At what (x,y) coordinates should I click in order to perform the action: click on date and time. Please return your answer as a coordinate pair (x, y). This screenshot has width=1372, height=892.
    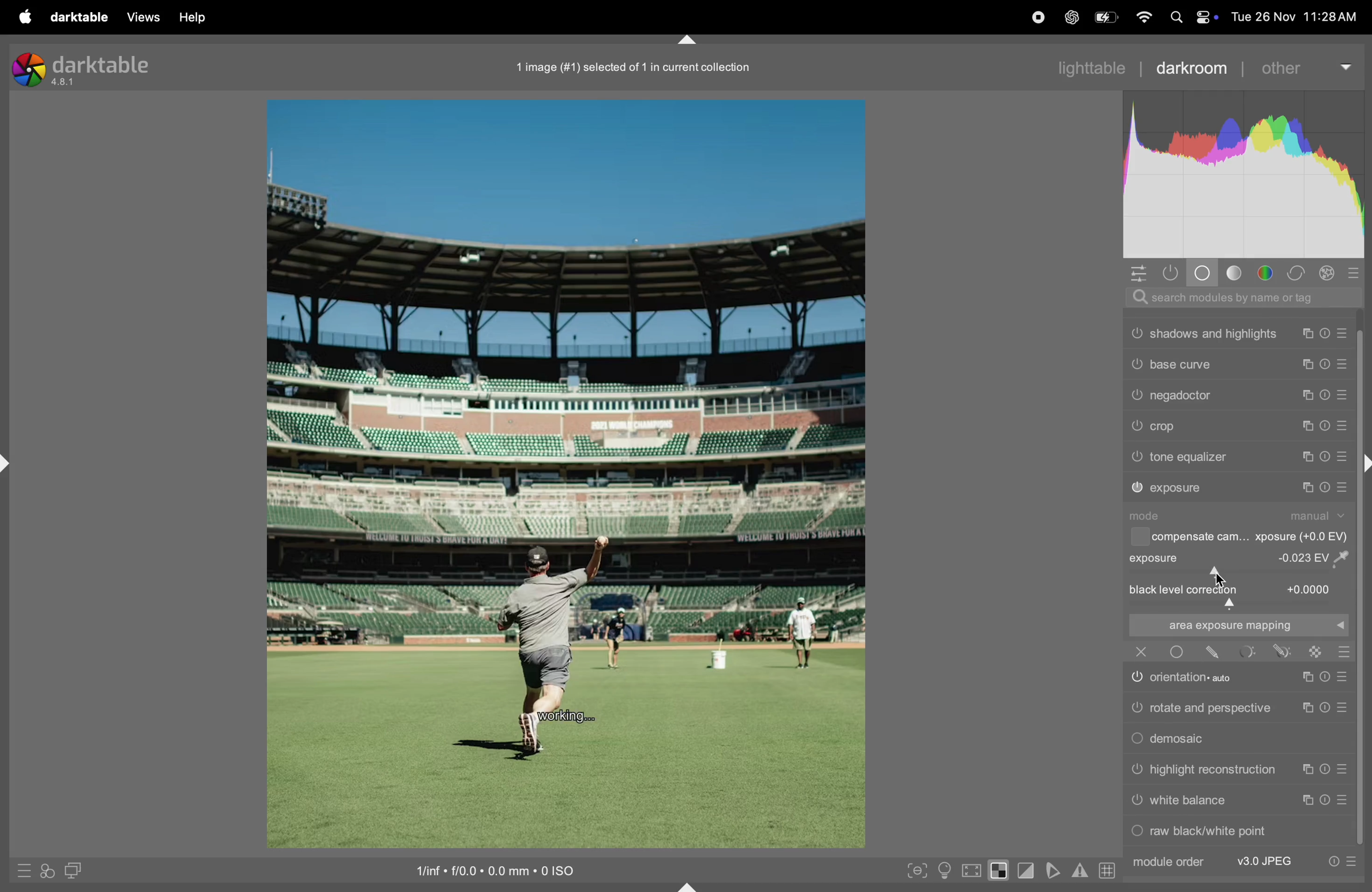
    Looking at the image, I should click on (1298, 16).